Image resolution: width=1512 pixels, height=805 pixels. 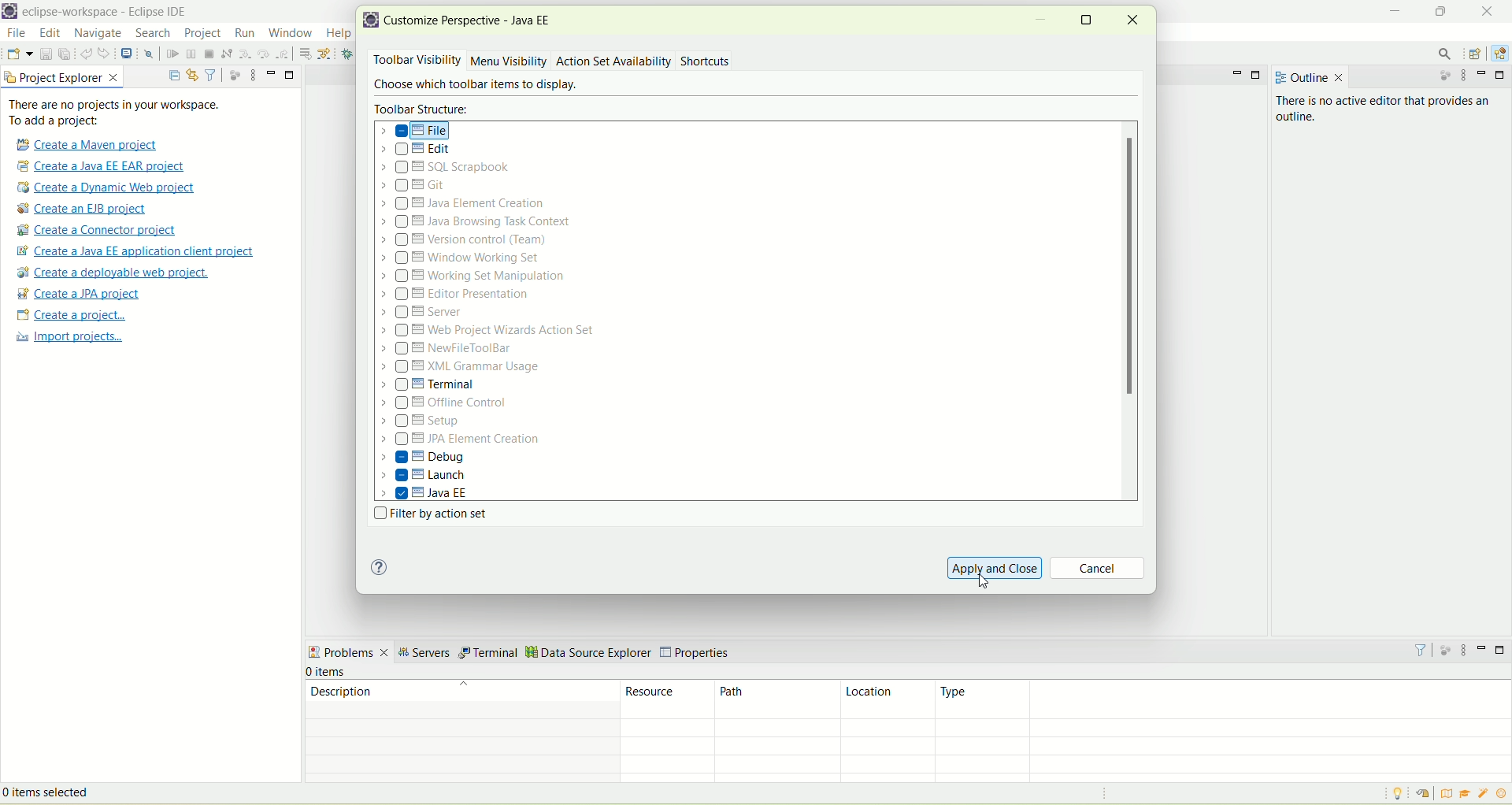 I want to click on edit, so click(x=420, y=151).